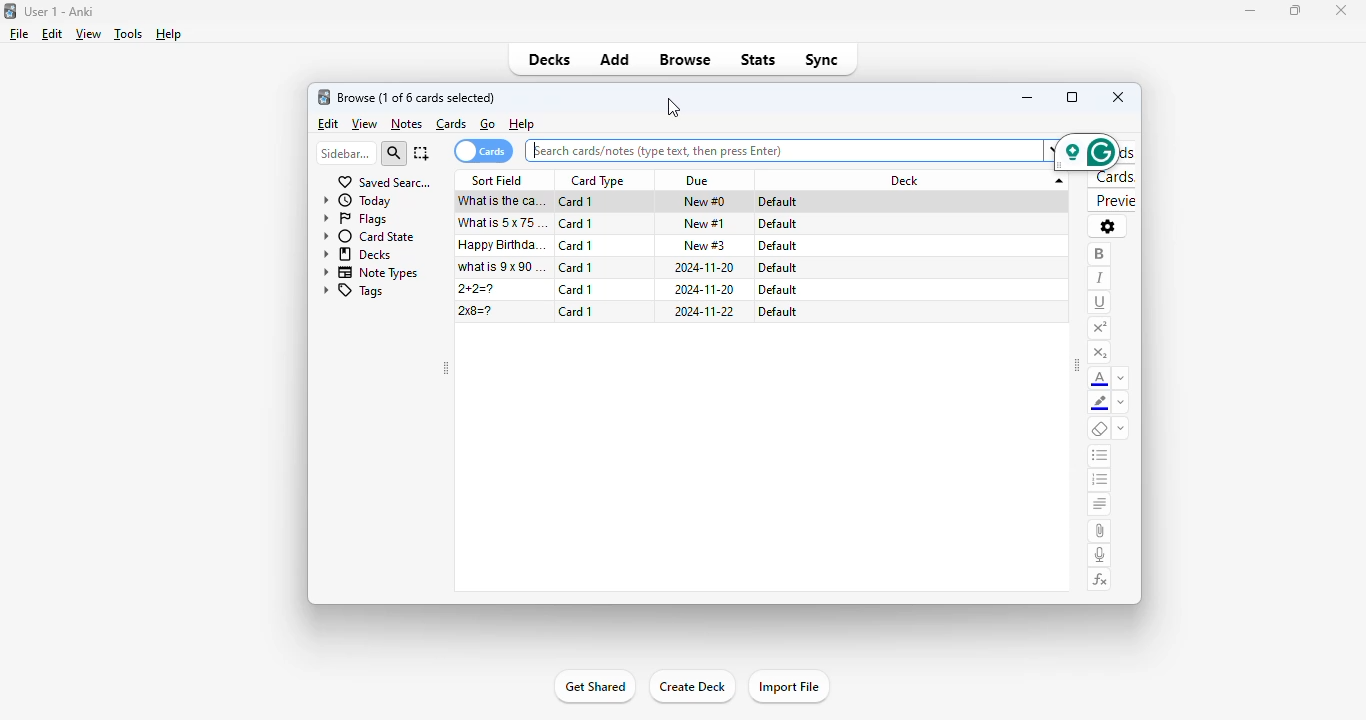  Describe the element at coordinates (1294, 9) in the screenshot. I see `maximize` at that location.